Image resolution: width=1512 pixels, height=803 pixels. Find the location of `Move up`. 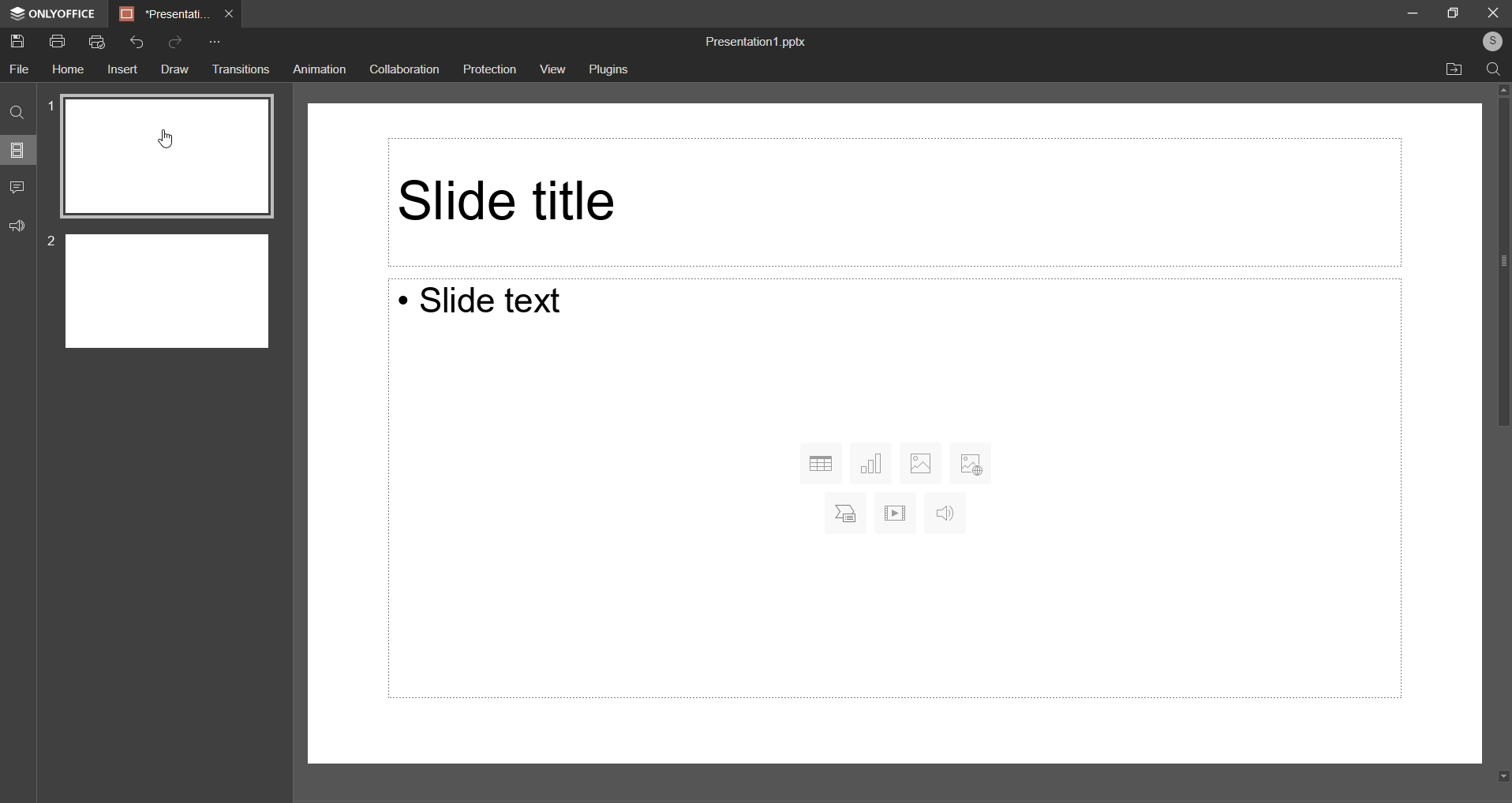

Move up is located at coordinates (1499, 92).